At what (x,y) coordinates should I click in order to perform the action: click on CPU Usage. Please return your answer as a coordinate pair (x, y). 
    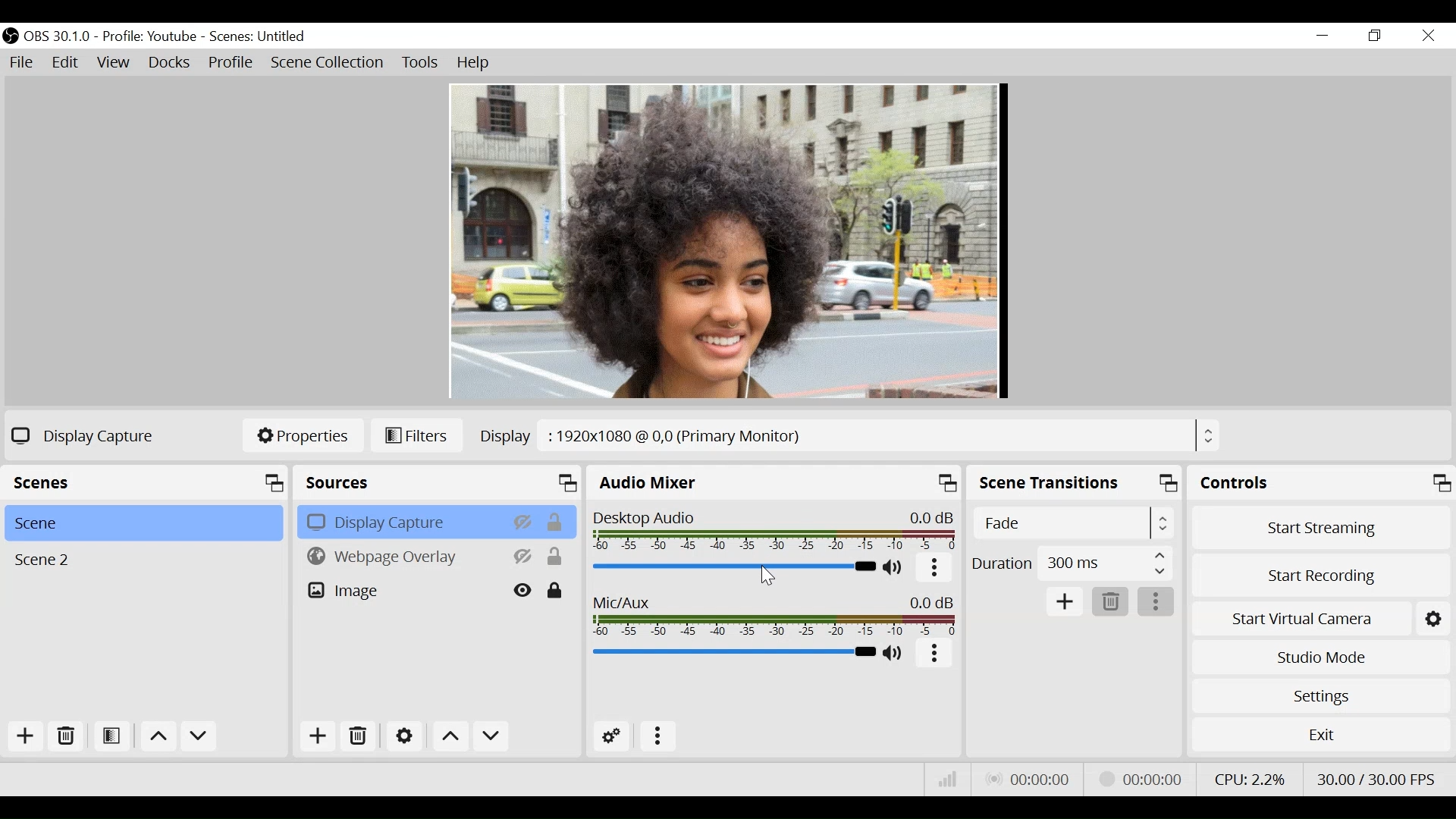
    Looking at the image, I should click on (1254, 780).